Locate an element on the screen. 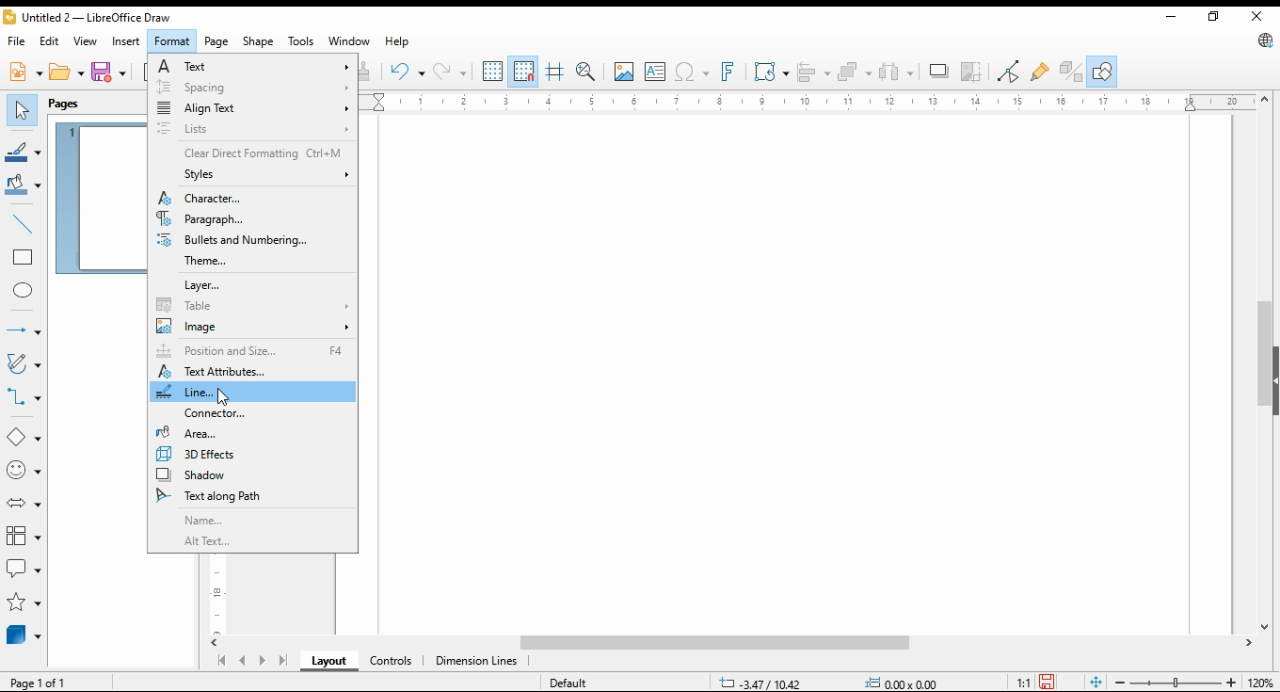 The width and height of the screenshot is (1280, 692). undo is located at coordinates (408, 70).